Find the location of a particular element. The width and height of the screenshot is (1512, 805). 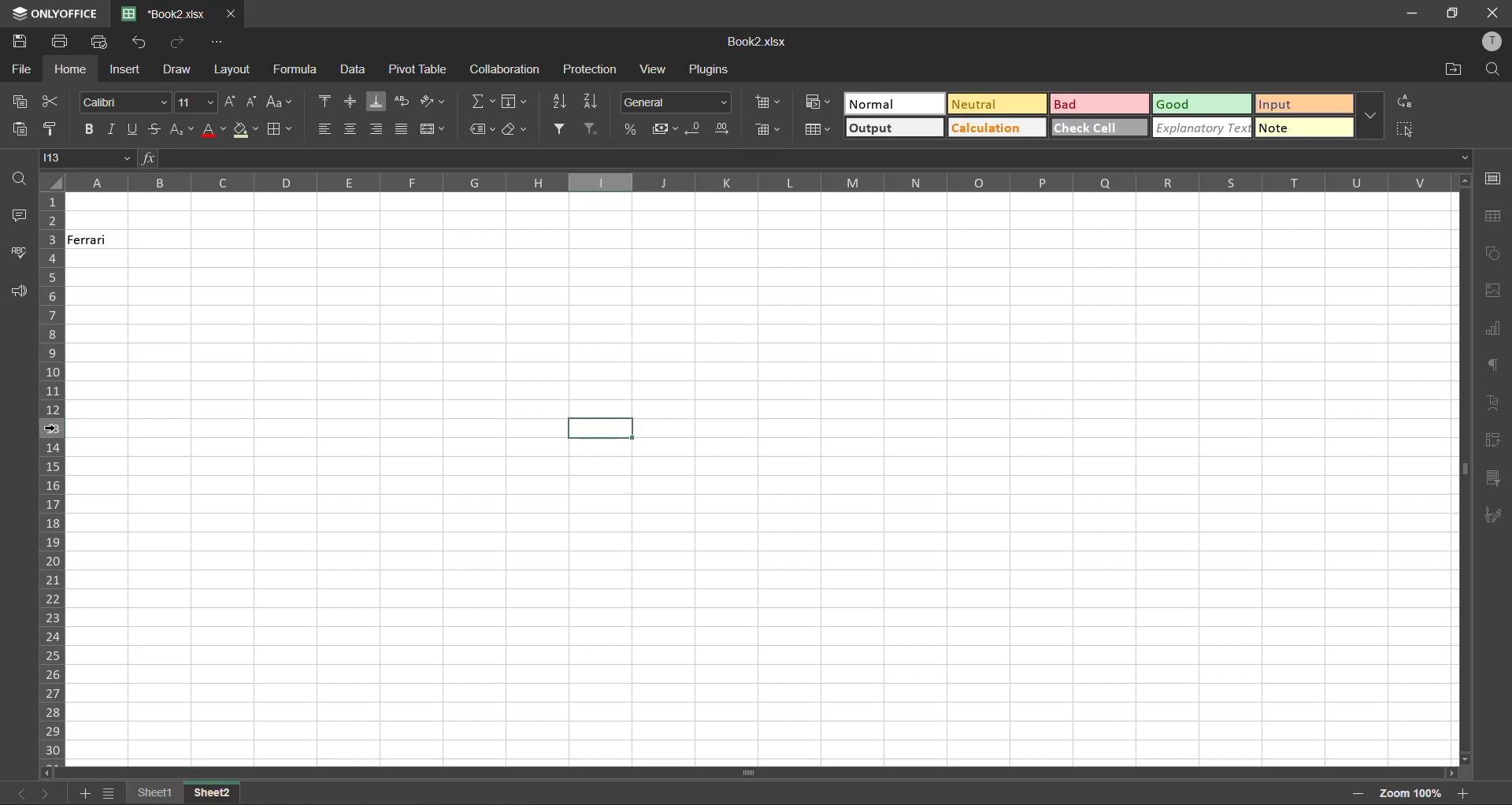

align right is located at coordinates (379, 128).